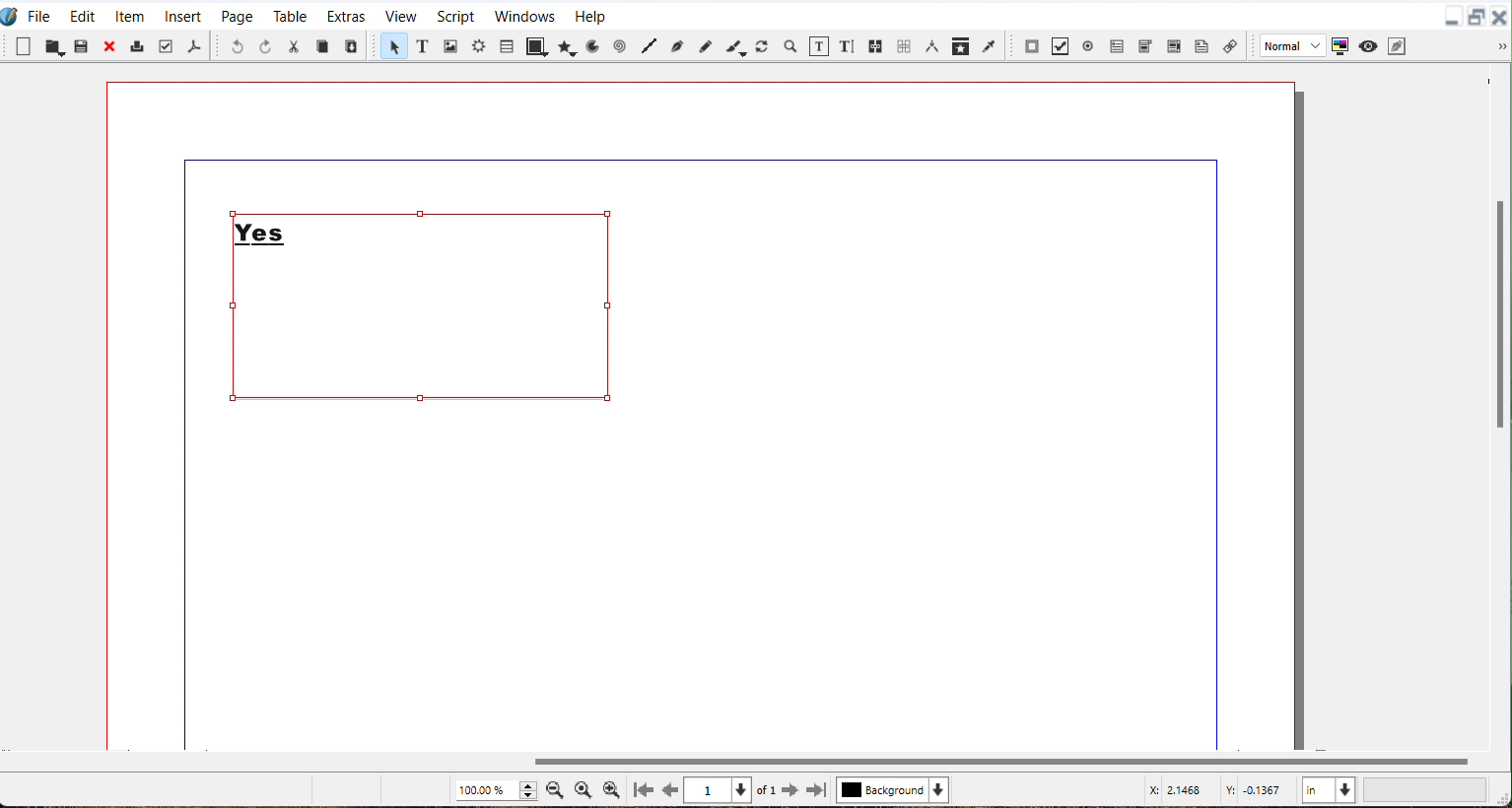  Describe the element at coordinates (566, 46) in the screenshot. I see `Polygon` at that location.